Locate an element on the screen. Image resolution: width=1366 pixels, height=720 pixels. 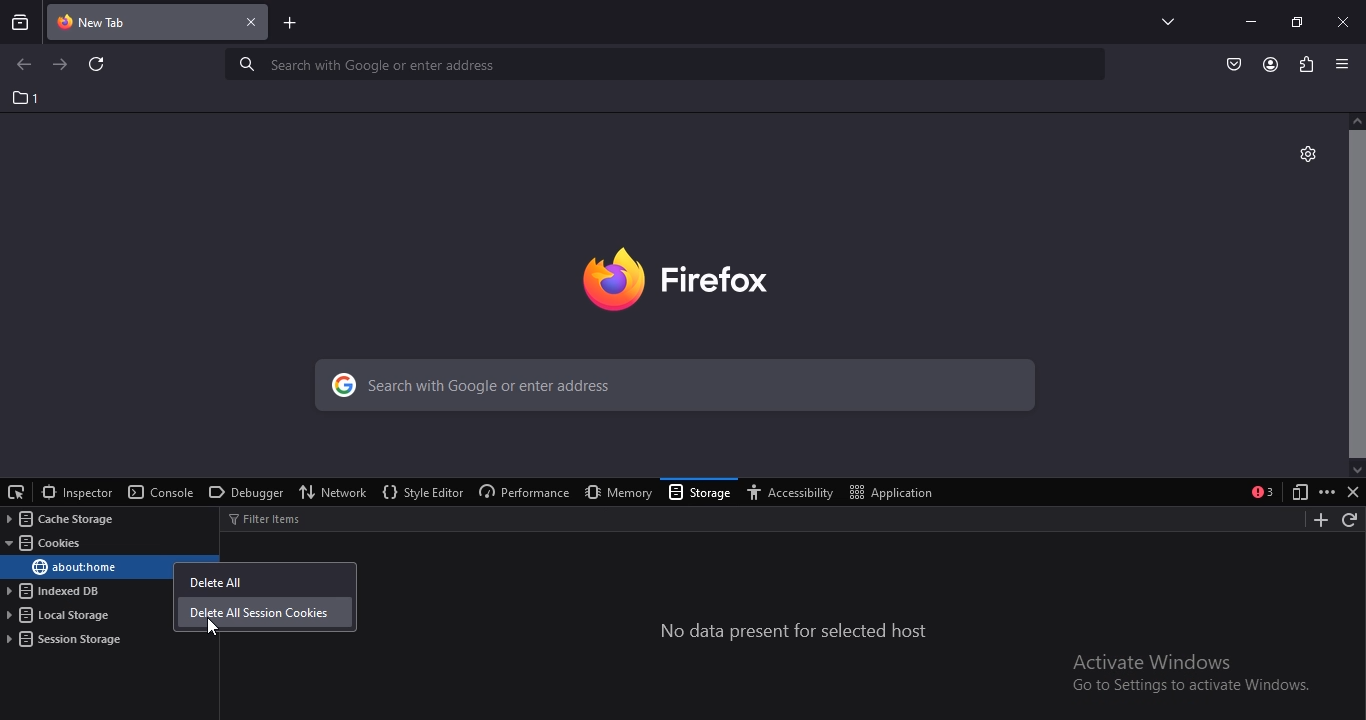
account is located at coordinates (1271, 65).